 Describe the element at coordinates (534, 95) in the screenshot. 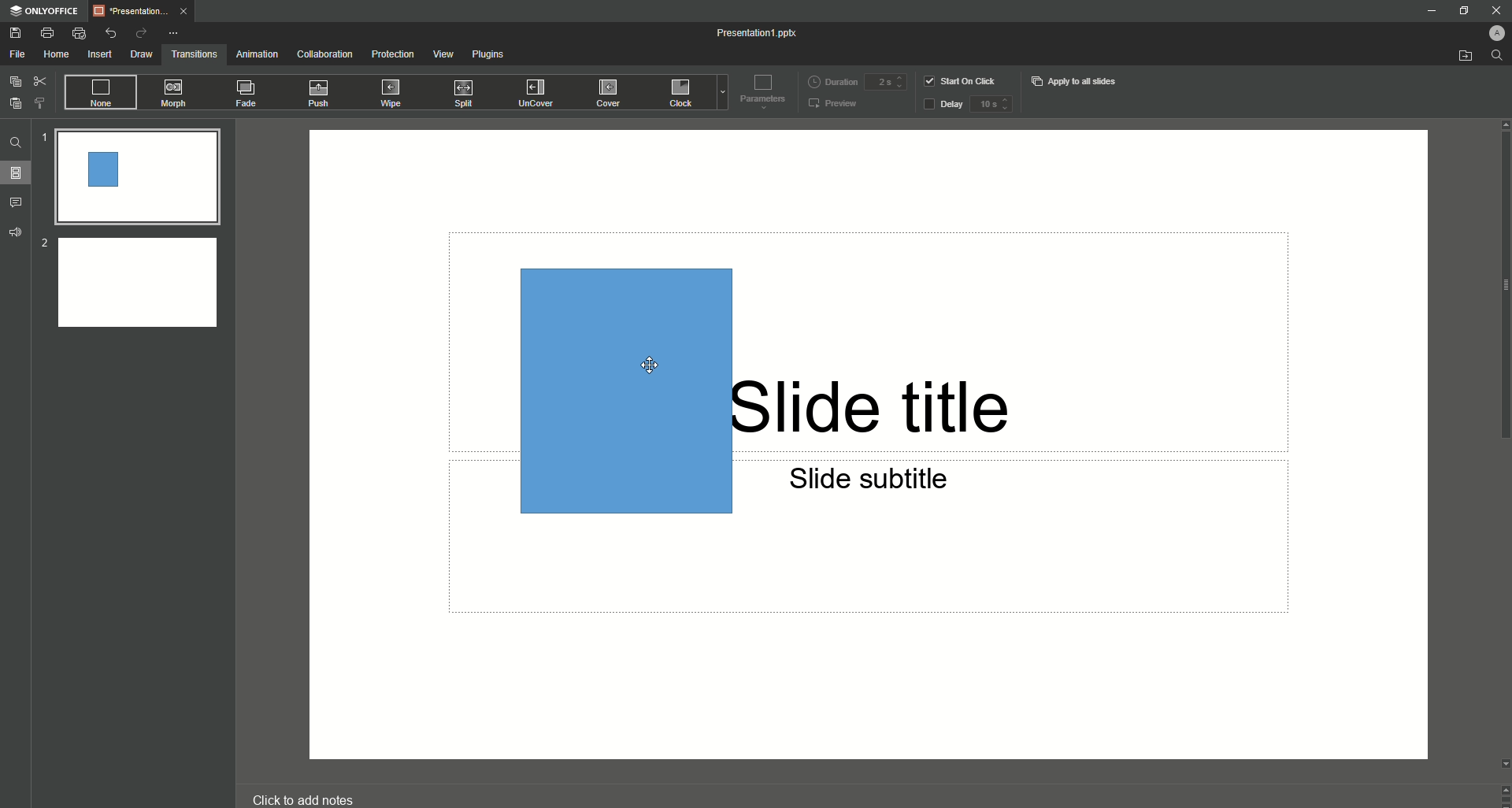

I see `UnCover` at that location.